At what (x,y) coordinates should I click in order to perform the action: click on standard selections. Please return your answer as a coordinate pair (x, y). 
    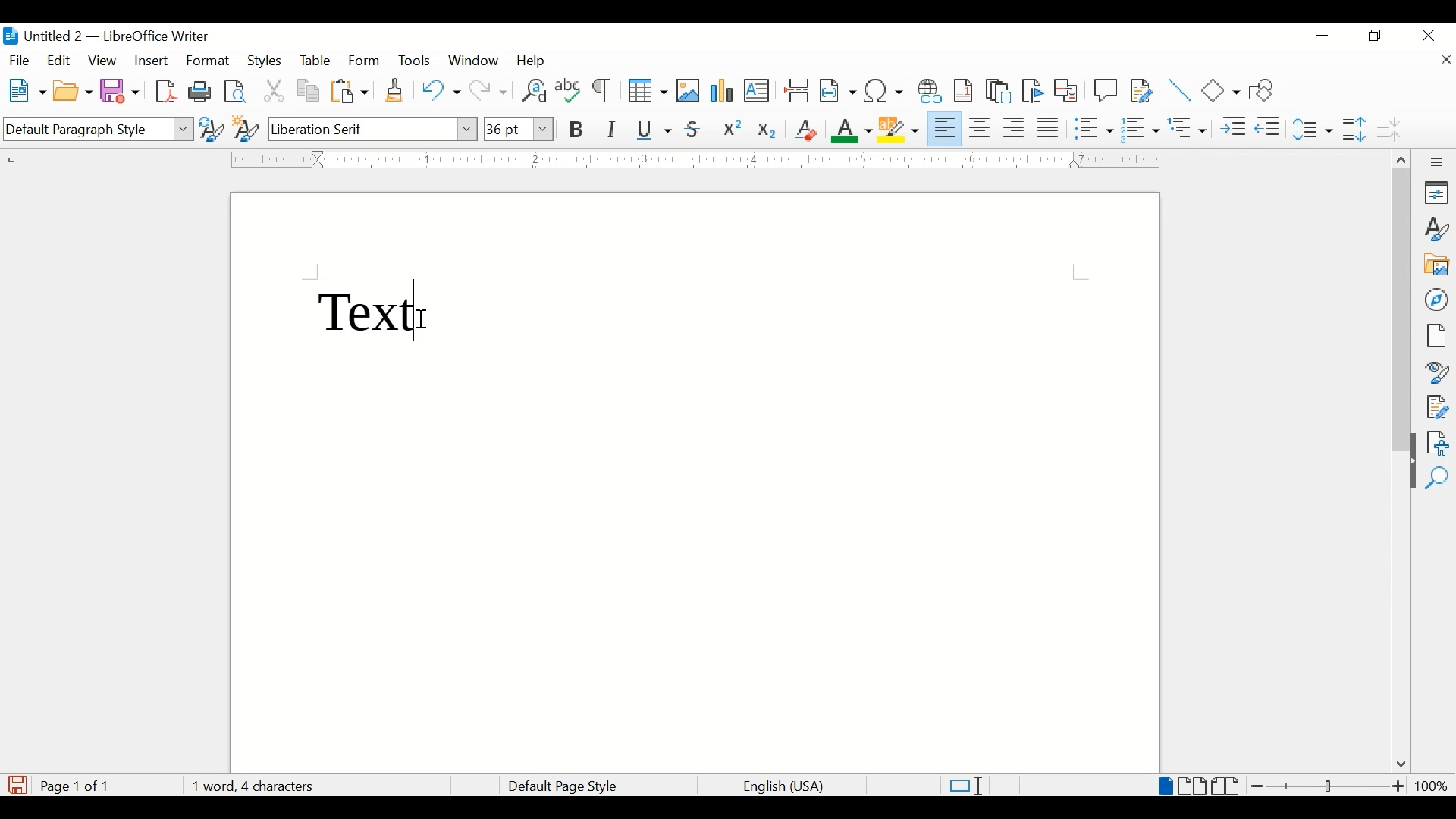
    Looking at the image, I should click on (965, 785).